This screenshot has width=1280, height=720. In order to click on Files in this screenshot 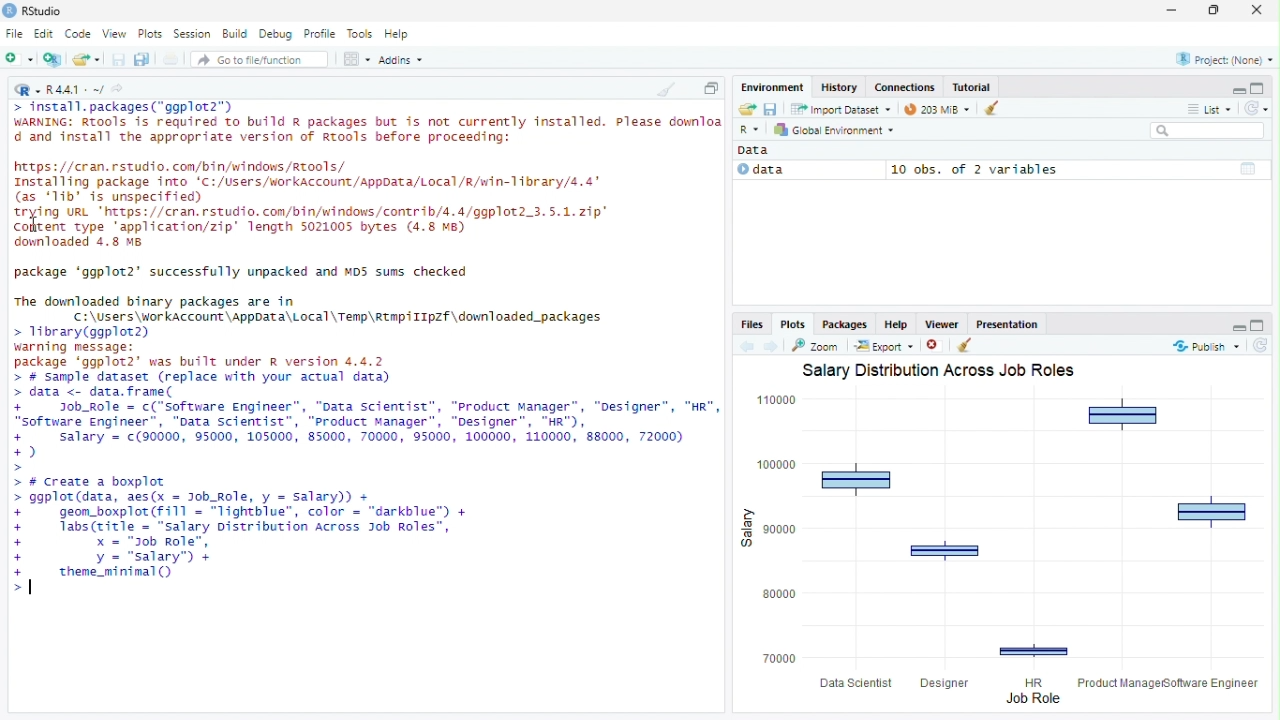, I will do `click(753, 325)`.